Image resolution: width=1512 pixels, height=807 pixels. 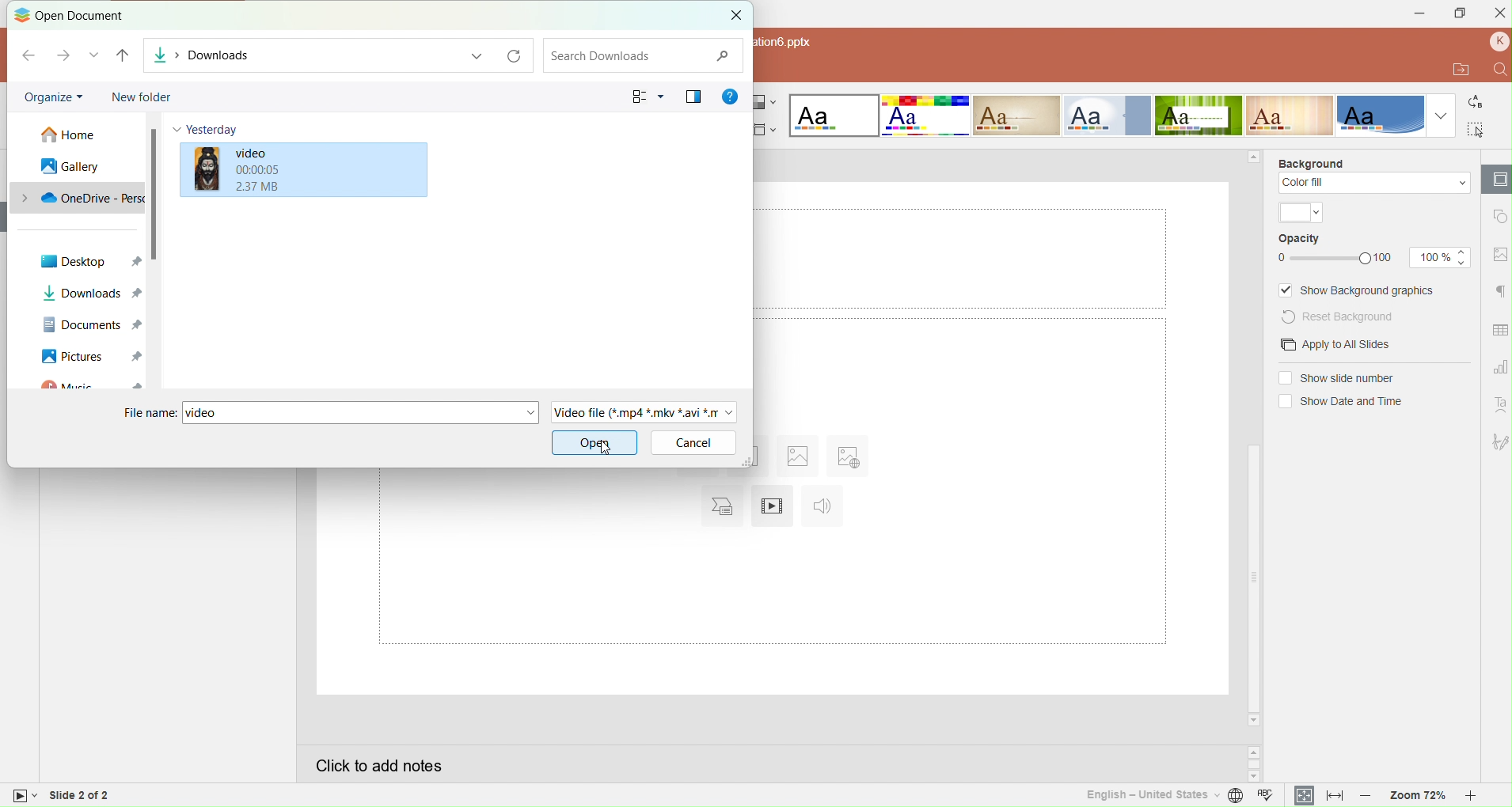 What do you see at coordinates (606, 448) in the screenshot?
I see `Cursor` at bounding box center [606, 448].